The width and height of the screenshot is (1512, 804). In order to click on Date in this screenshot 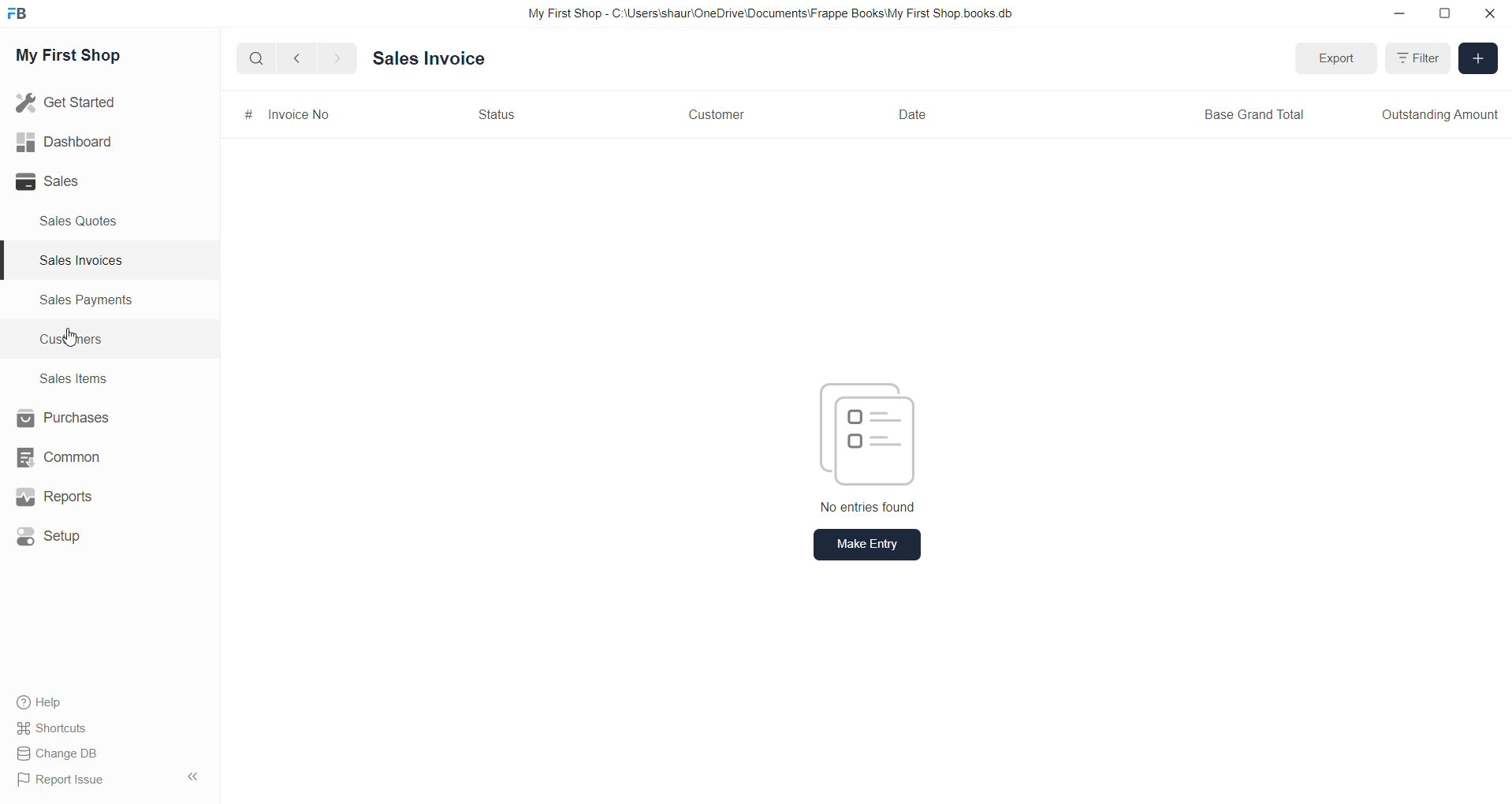, I will do `click(915, 115)`.